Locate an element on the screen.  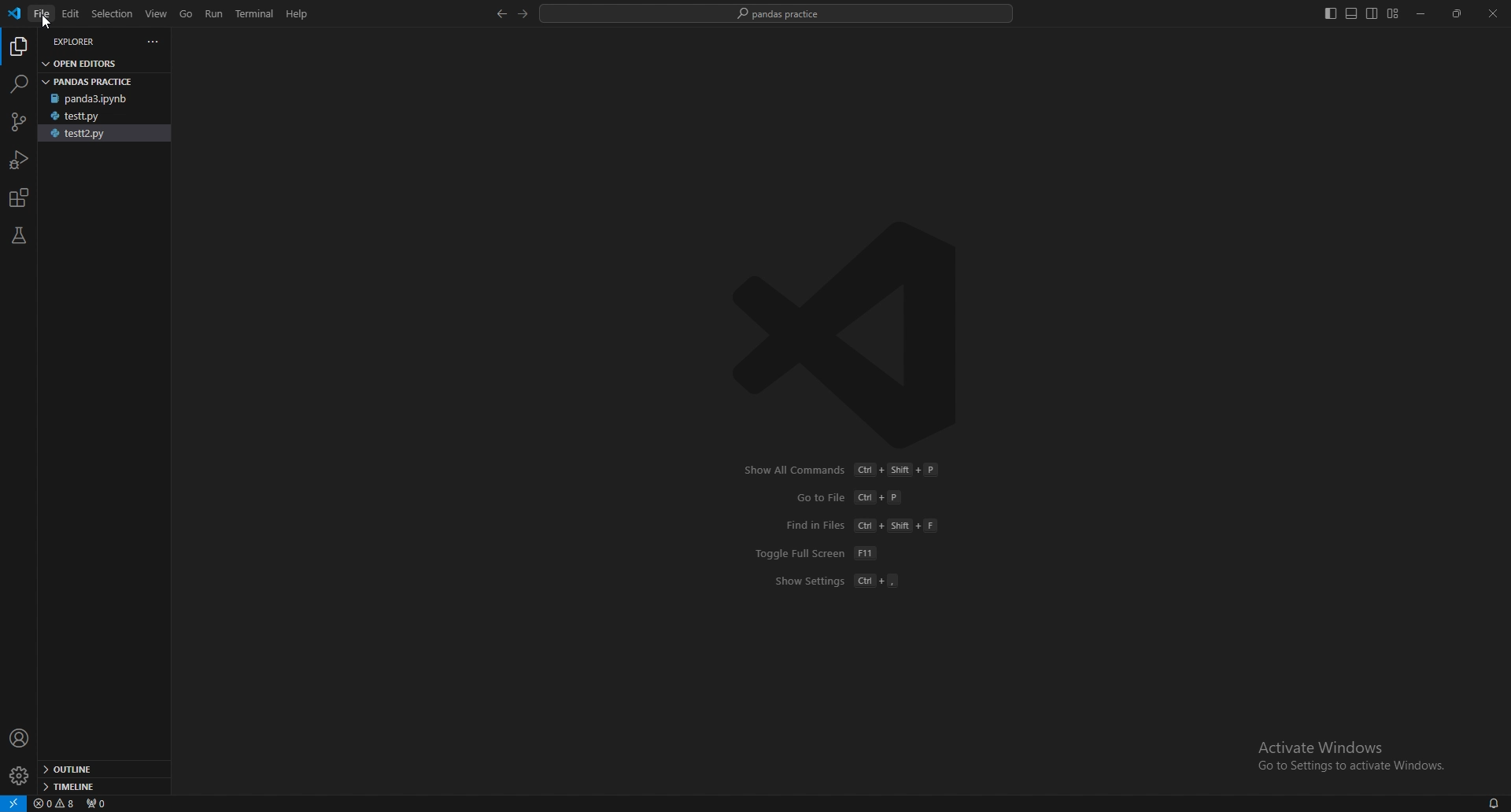
alarms is located at coordinates (1494, 803).